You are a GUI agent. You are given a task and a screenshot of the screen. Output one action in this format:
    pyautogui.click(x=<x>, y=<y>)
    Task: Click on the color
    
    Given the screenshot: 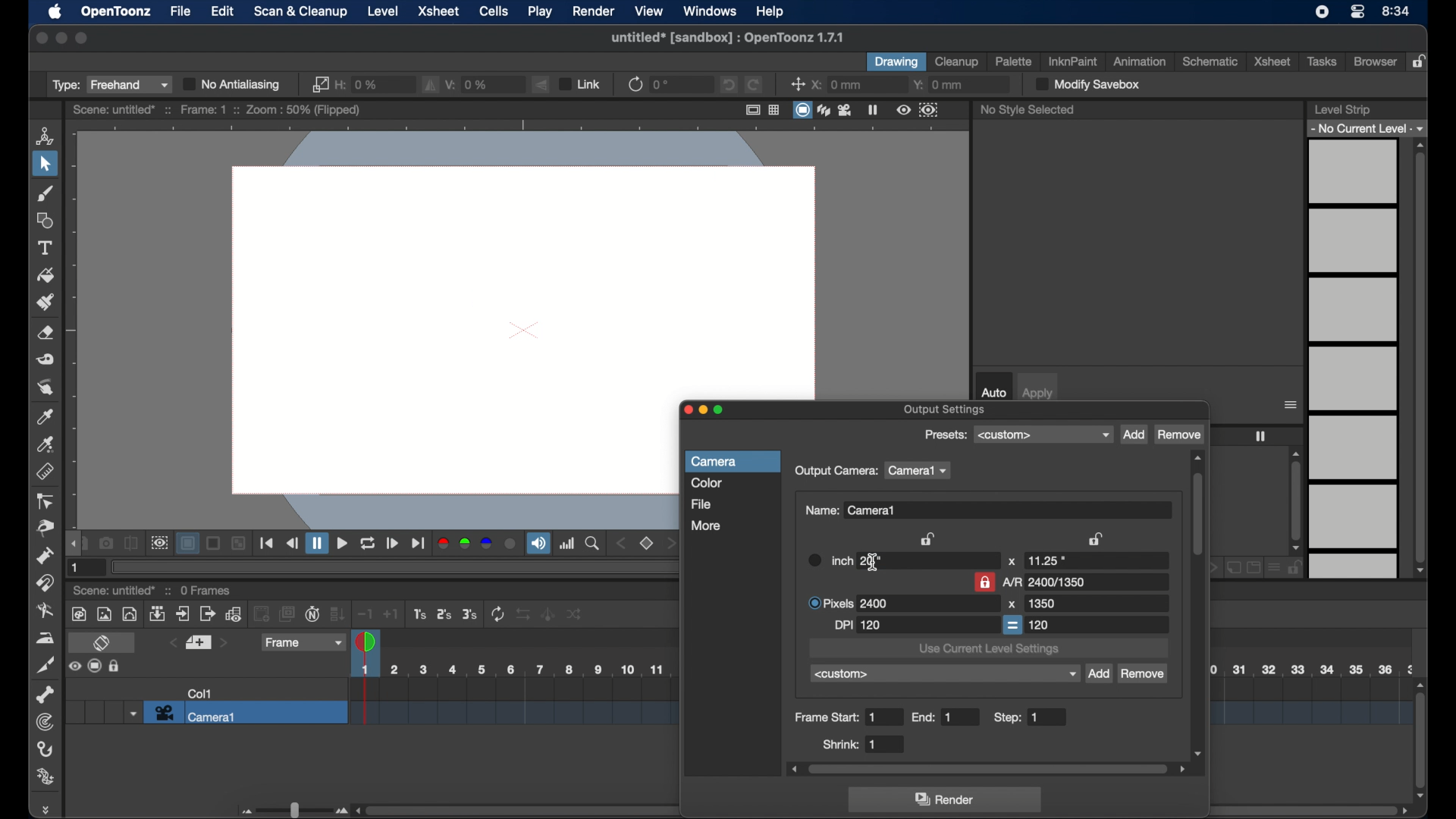 What is the action you would take?
    pyautogui.click(x=707, y=483)
    